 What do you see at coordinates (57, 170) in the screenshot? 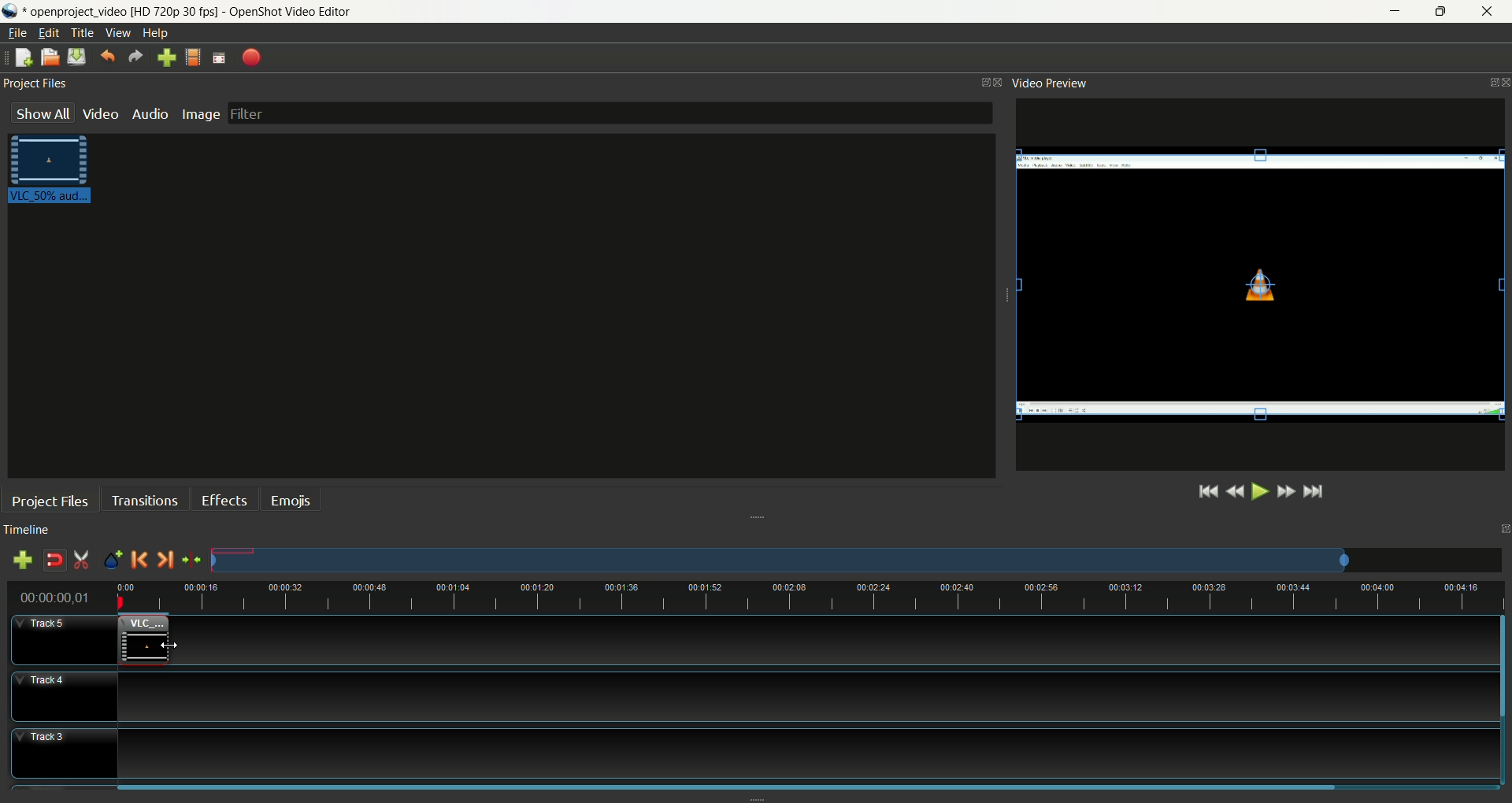
I see `video clip` at bounding box center [57, 170].